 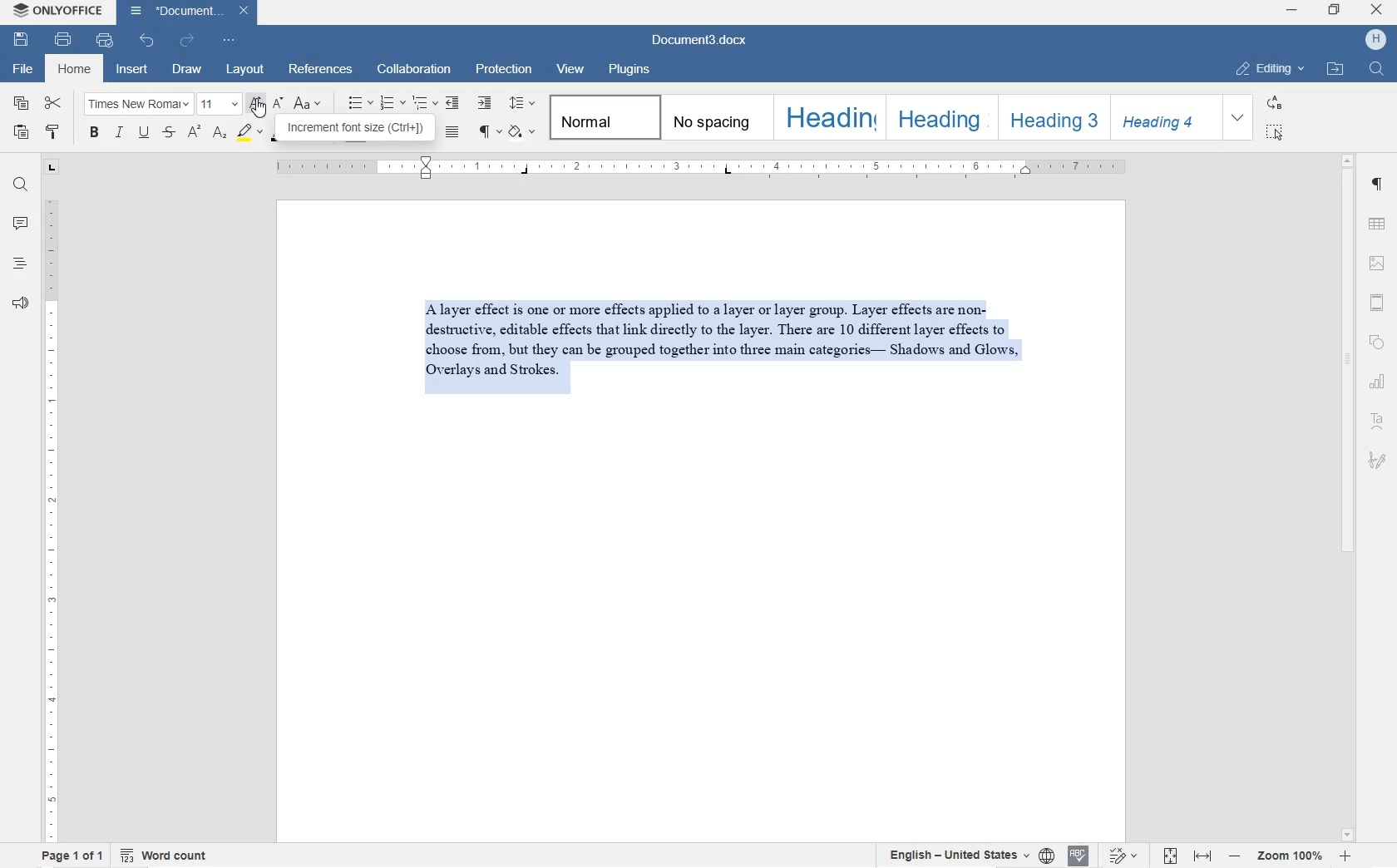 What do you see at coordinates (74, 856) in the screenshot?
I see `page 1 of 1` at bounding box center [74, 856].